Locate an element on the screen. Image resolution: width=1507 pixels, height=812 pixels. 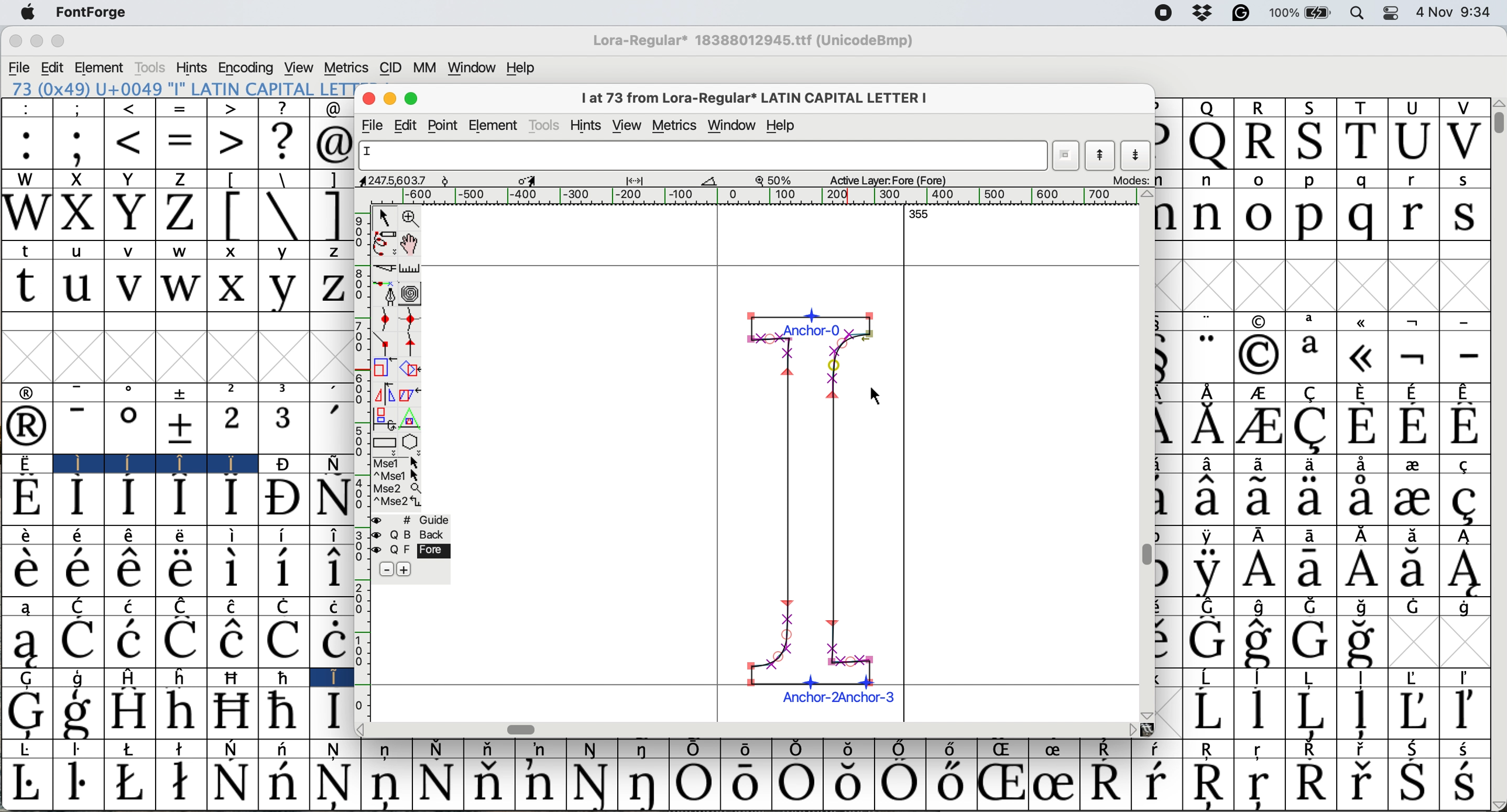
Symbol is located at coordinates (487, 749).